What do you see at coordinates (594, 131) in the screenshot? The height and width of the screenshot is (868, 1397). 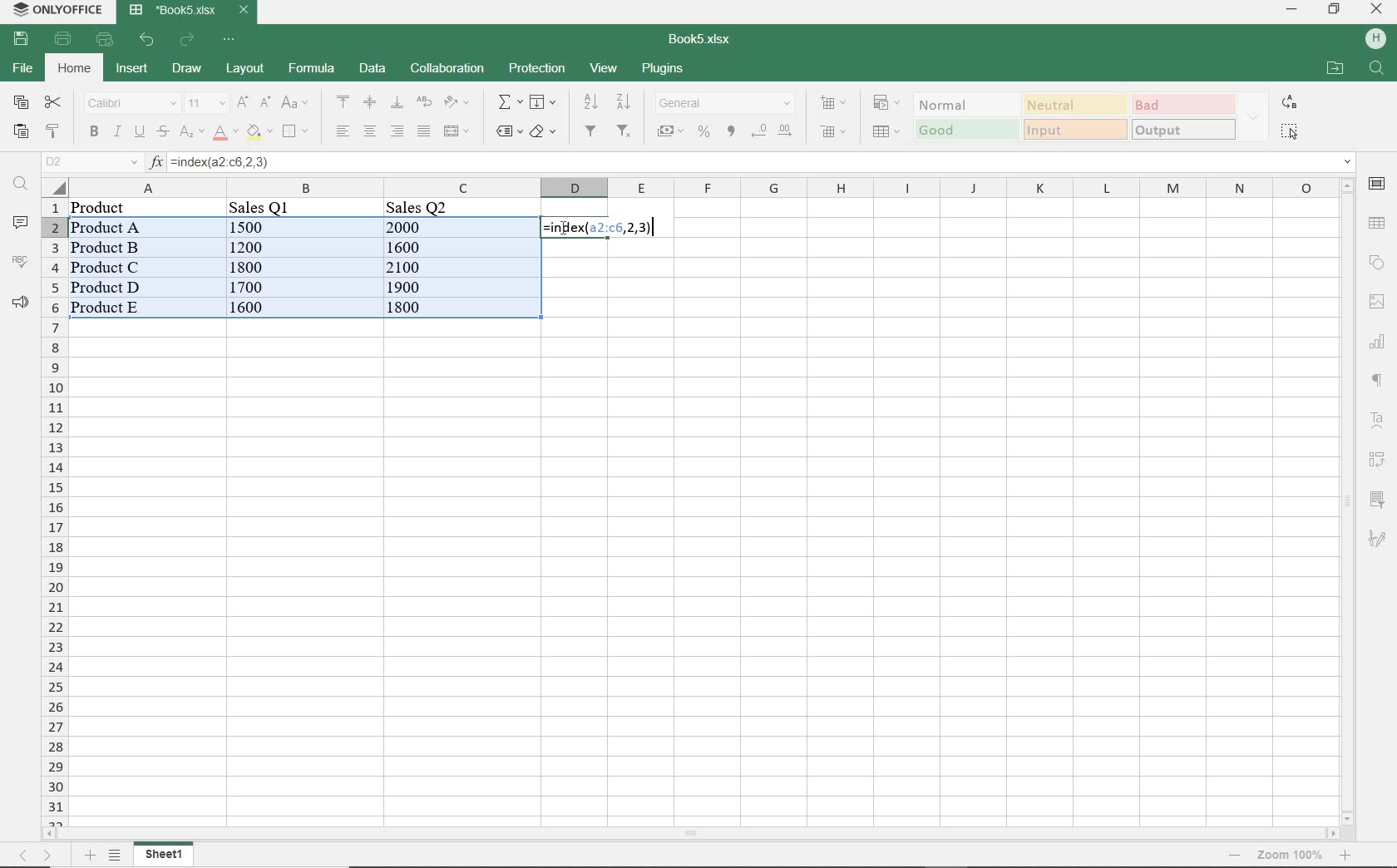 I see `filter` at bounding box center [594, 131].